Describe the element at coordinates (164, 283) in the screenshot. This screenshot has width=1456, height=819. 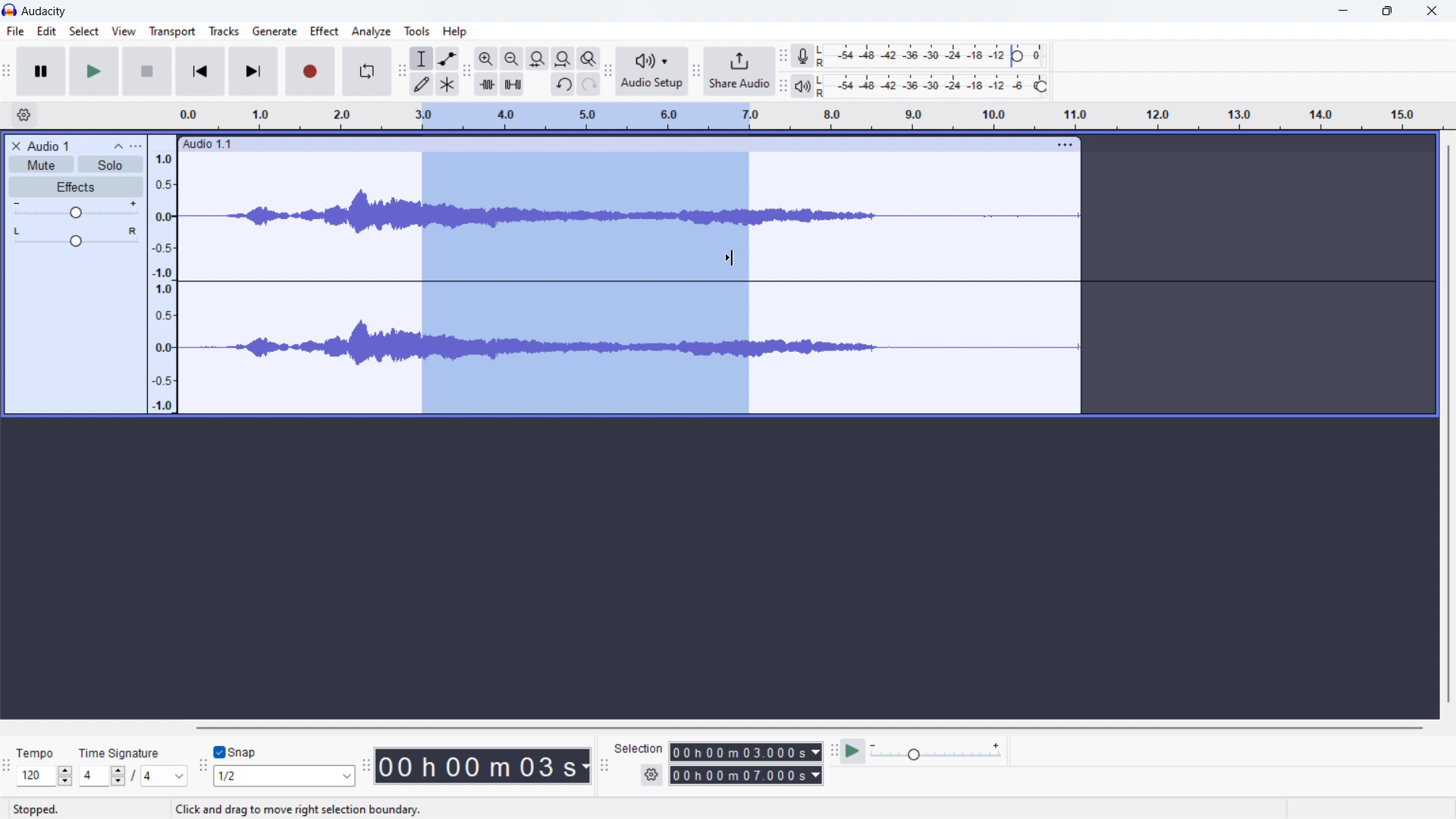
I see `amplitude` at that location.